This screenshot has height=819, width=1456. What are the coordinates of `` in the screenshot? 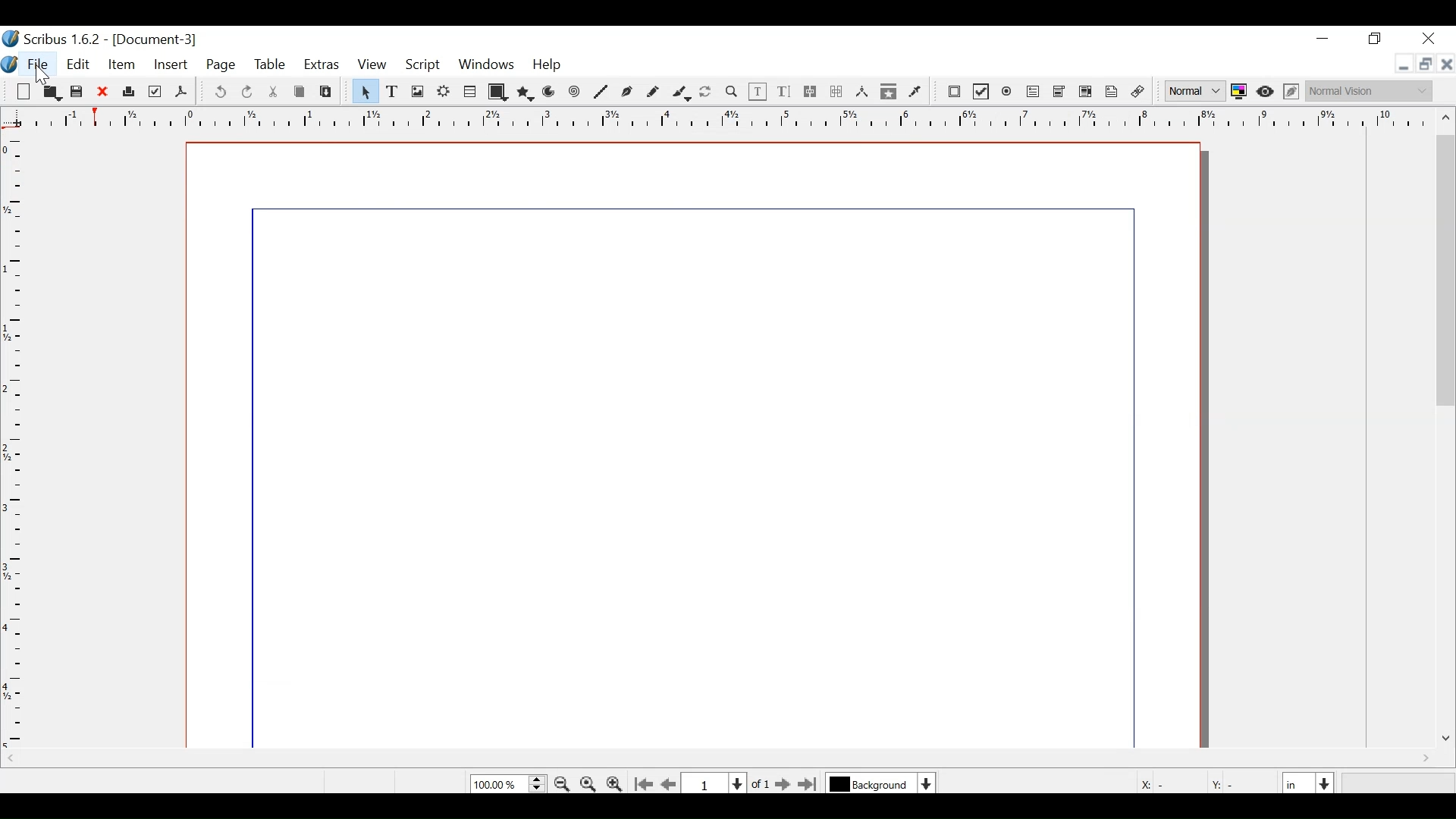 It's located at (15, 458).